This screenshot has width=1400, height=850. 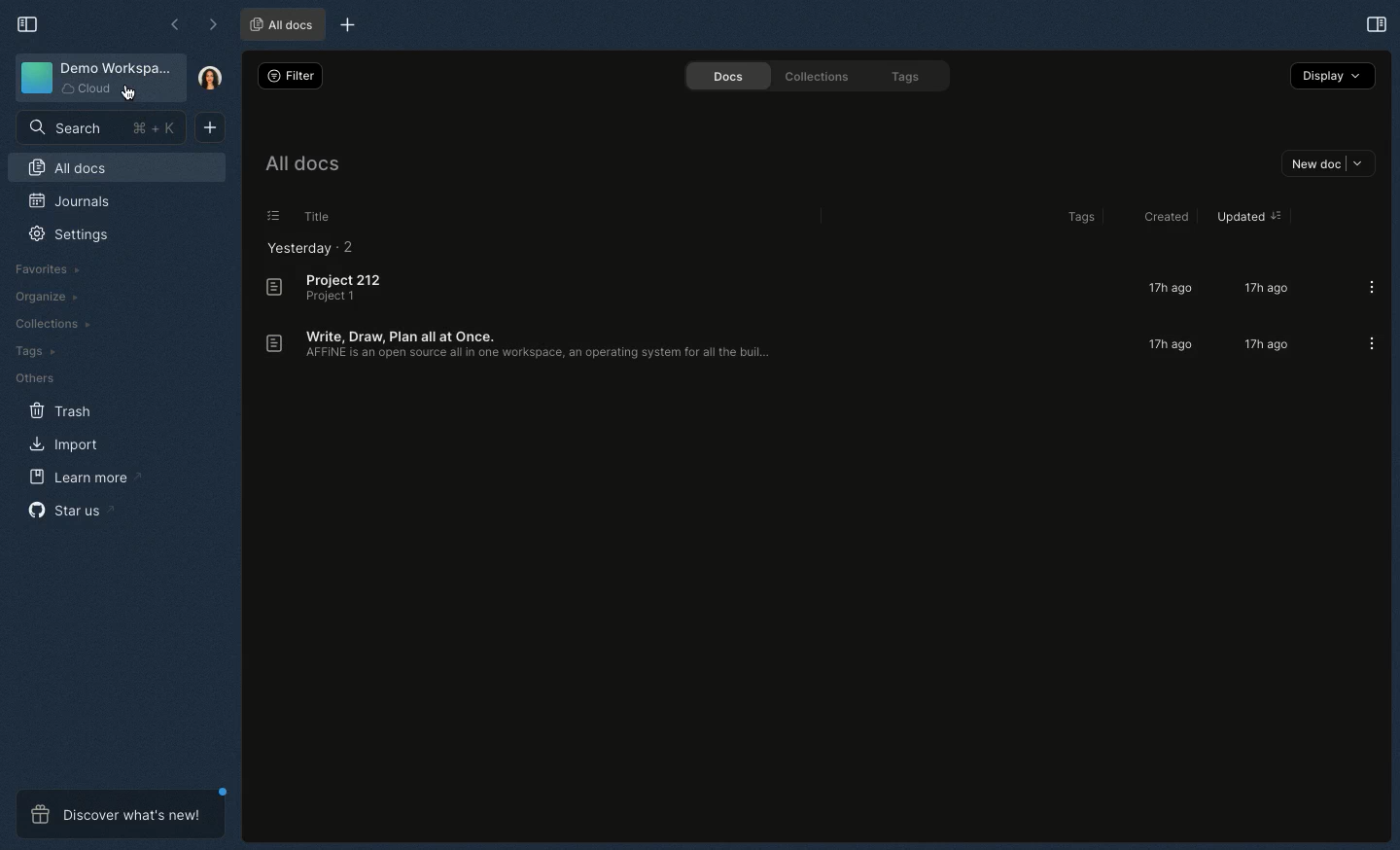 I want to click on Trash, so click(x=57, y=409).